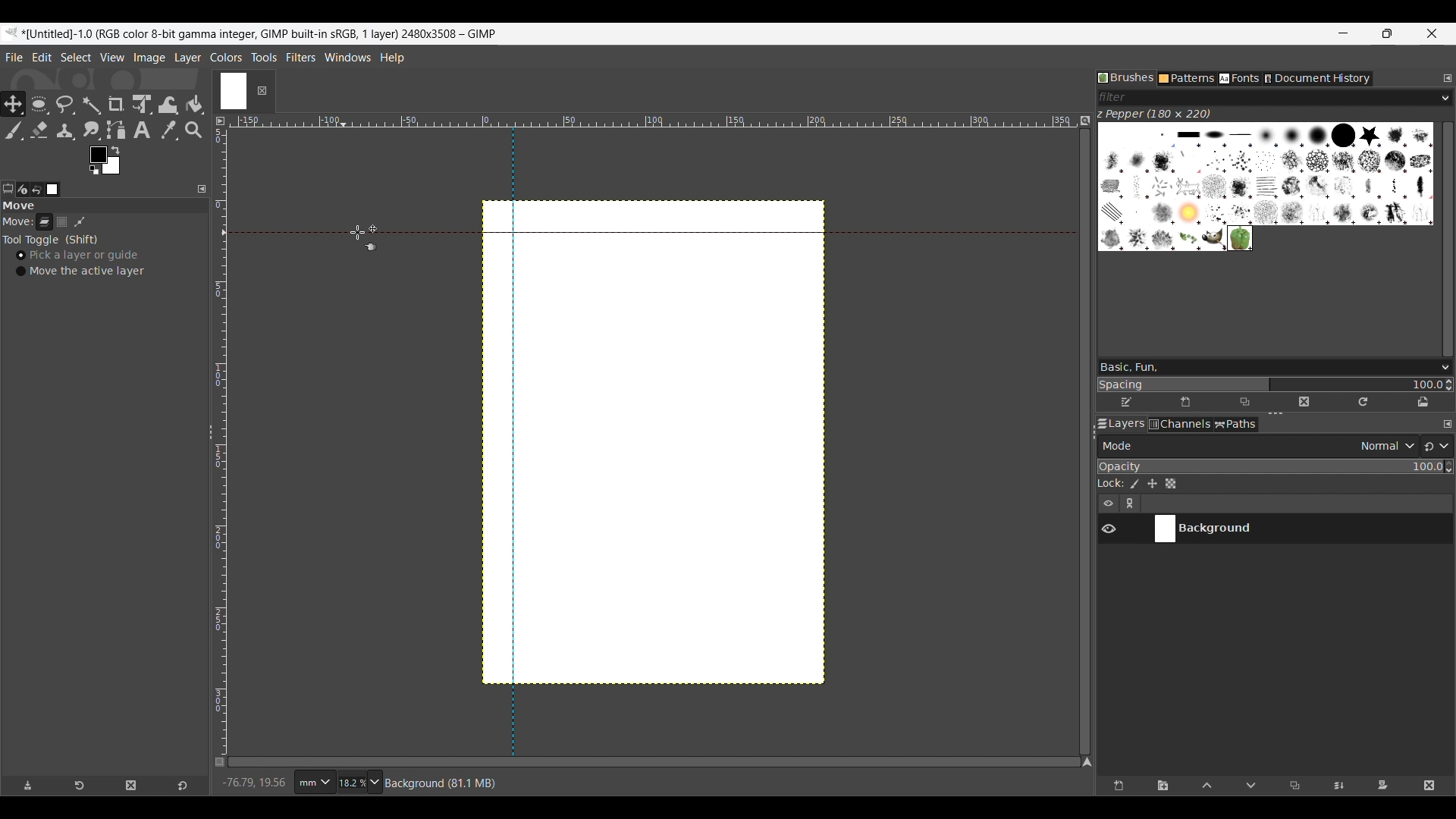  Describe the element at coordinates (1269, 384) in the screenshot. I see `Change spacing` at that location.